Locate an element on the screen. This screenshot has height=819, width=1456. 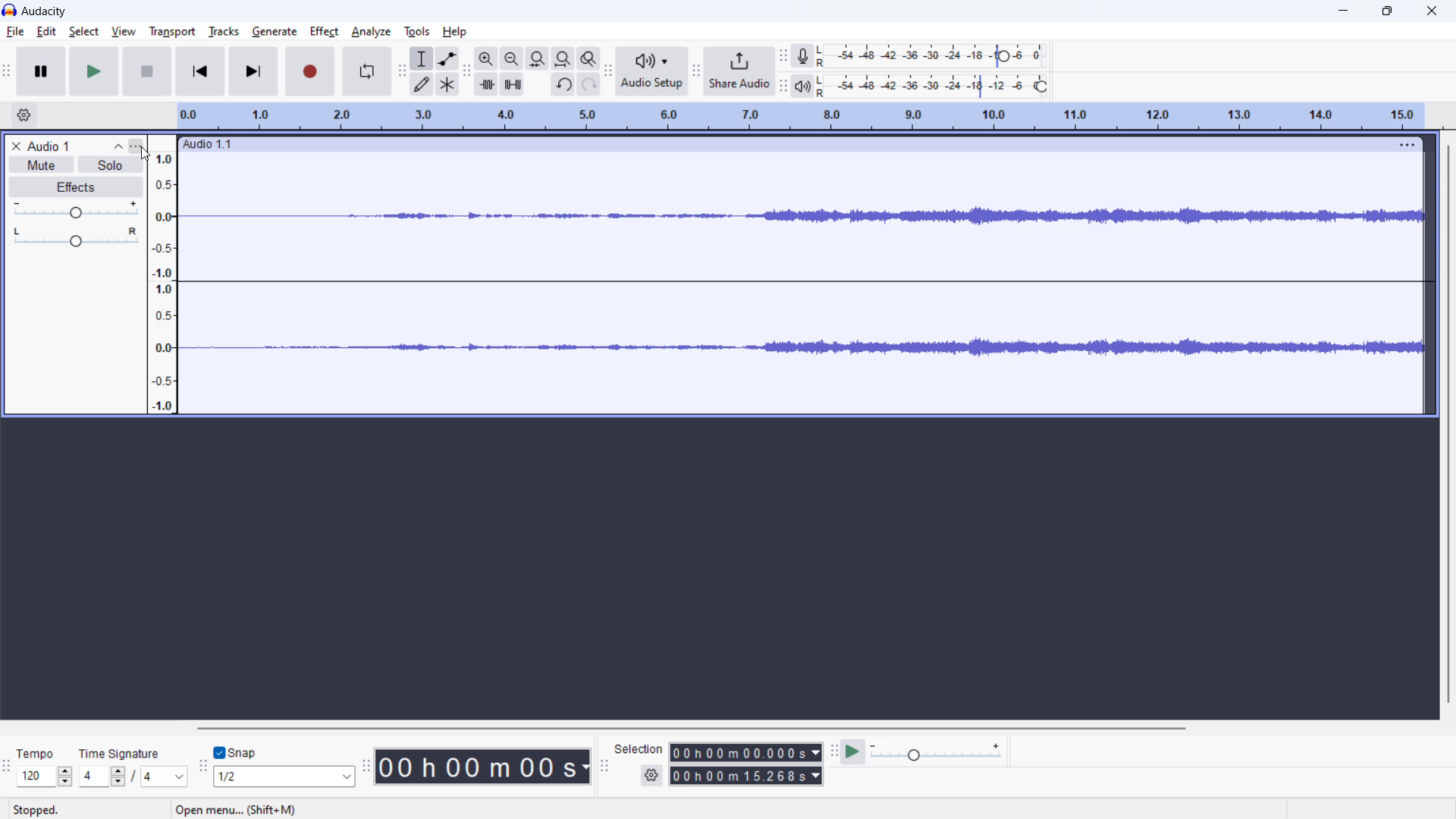
view menu is located at coordinates (136, 146).